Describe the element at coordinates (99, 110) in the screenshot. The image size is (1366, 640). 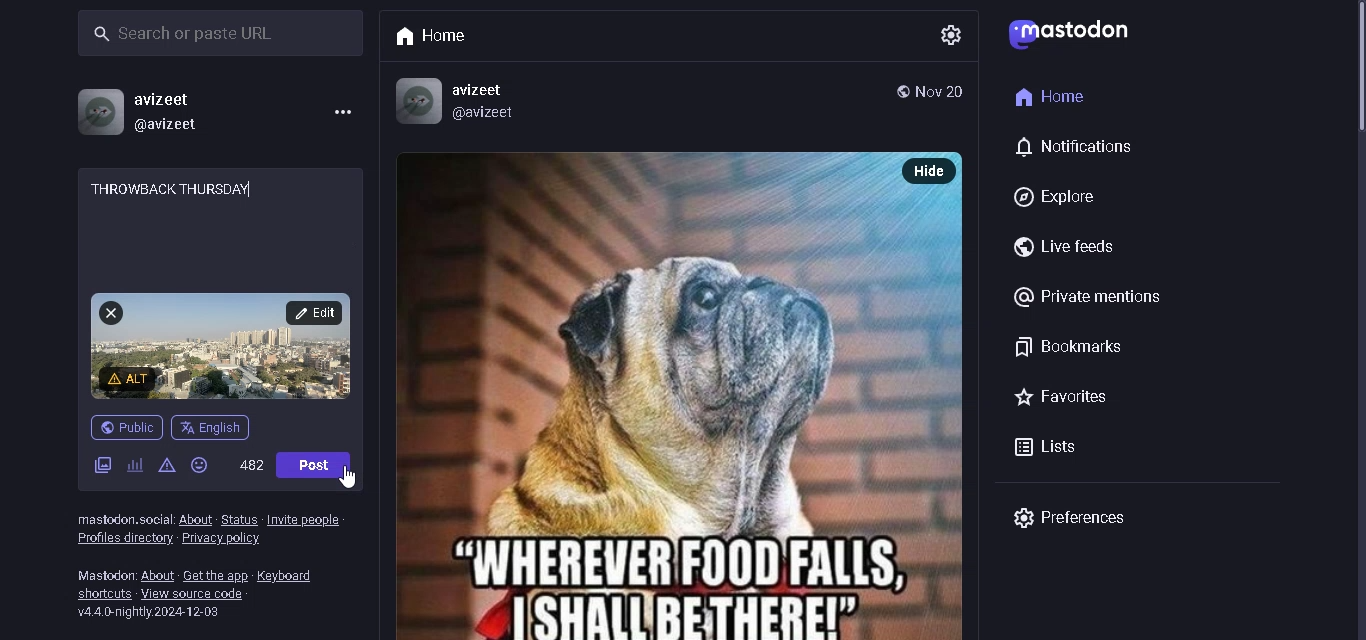
I see `profile picture` at that location.